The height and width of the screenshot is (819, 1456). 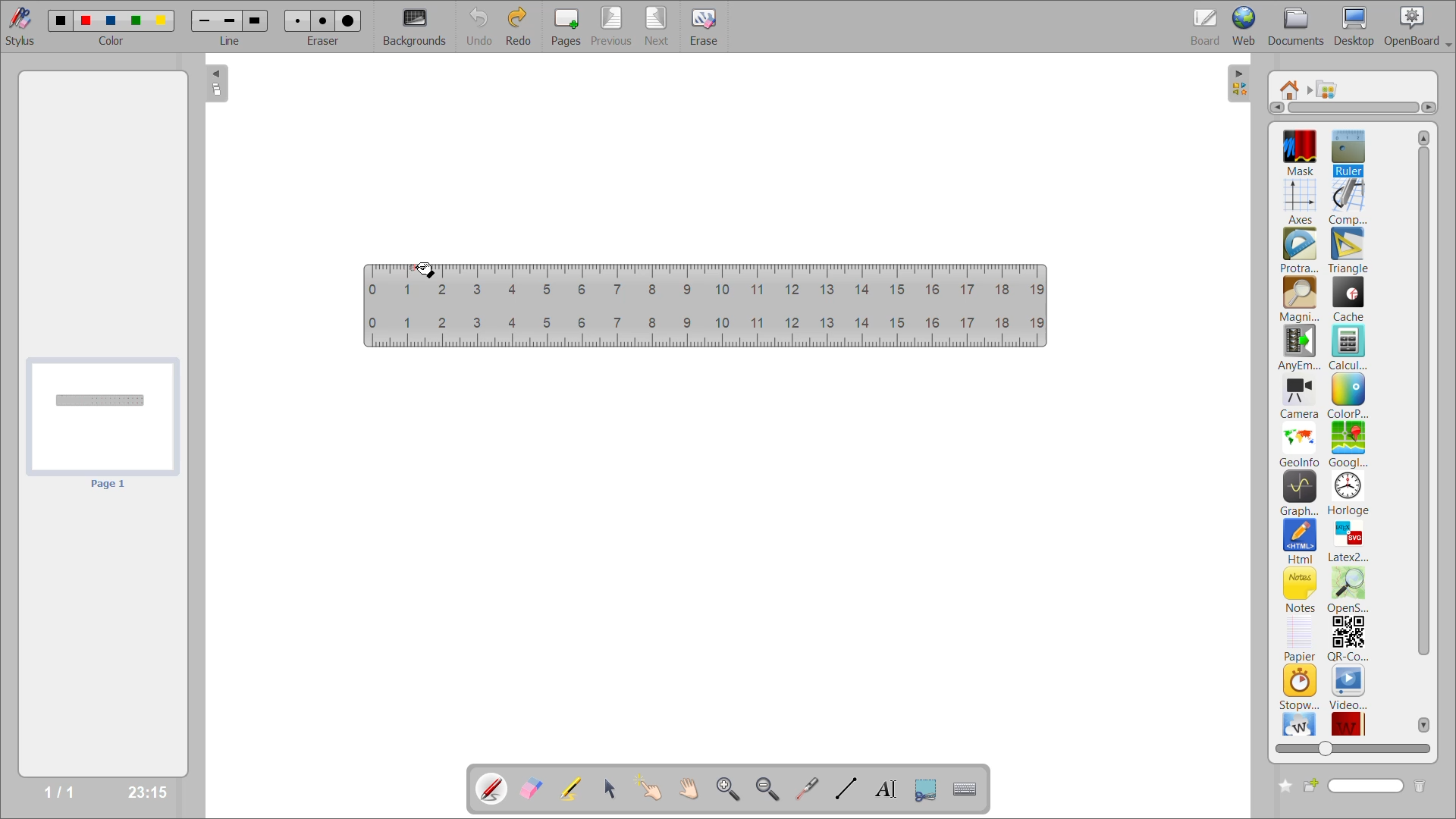 What do you see at coordinates (1355, 26) in the screenshot?
I see `desktop` at bounding box center [1355, 26].